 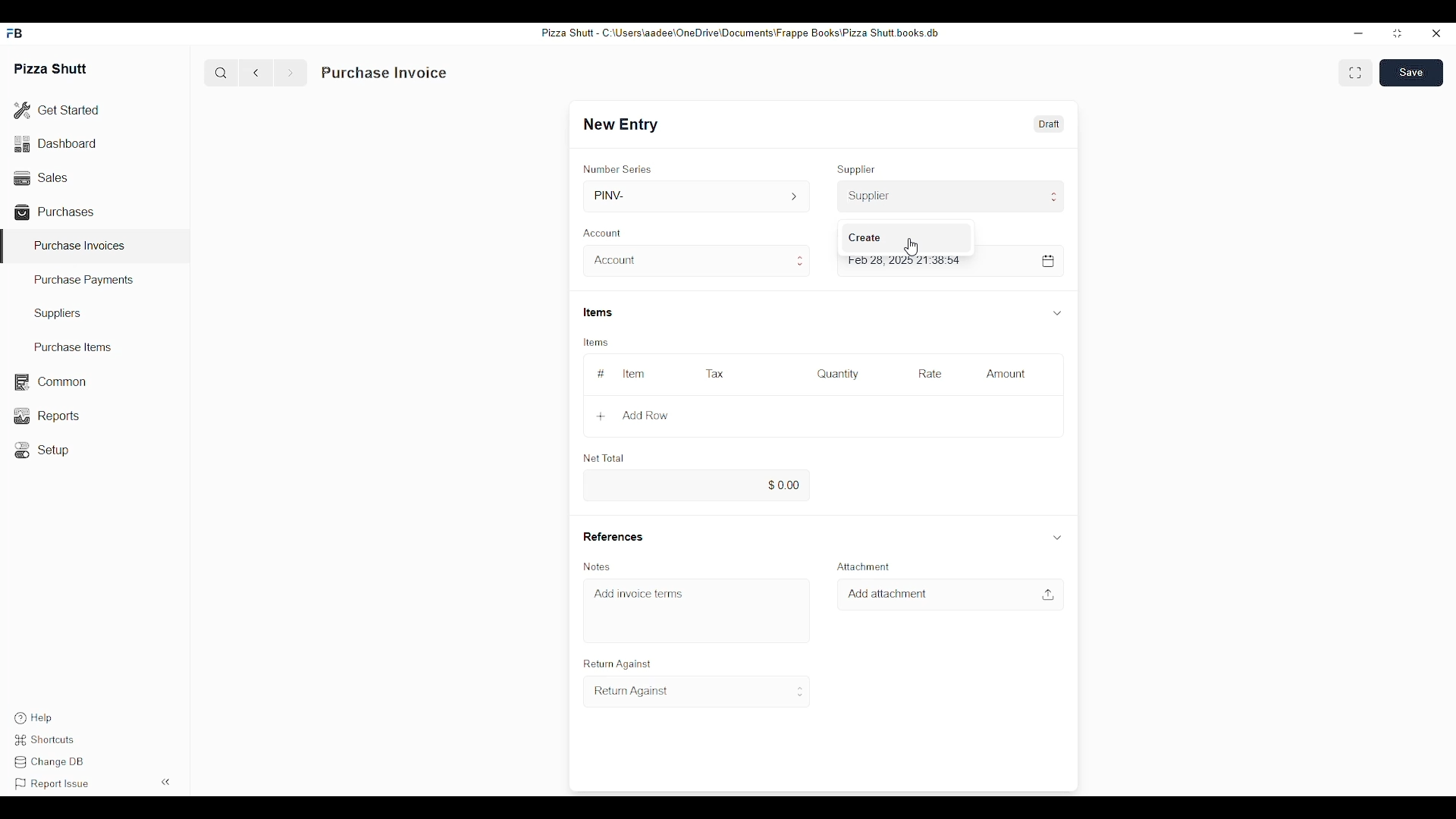 What do you see at coordinates (617, 664) in the screenshot?
I see `Return Against` at bounding box center [617, 664].